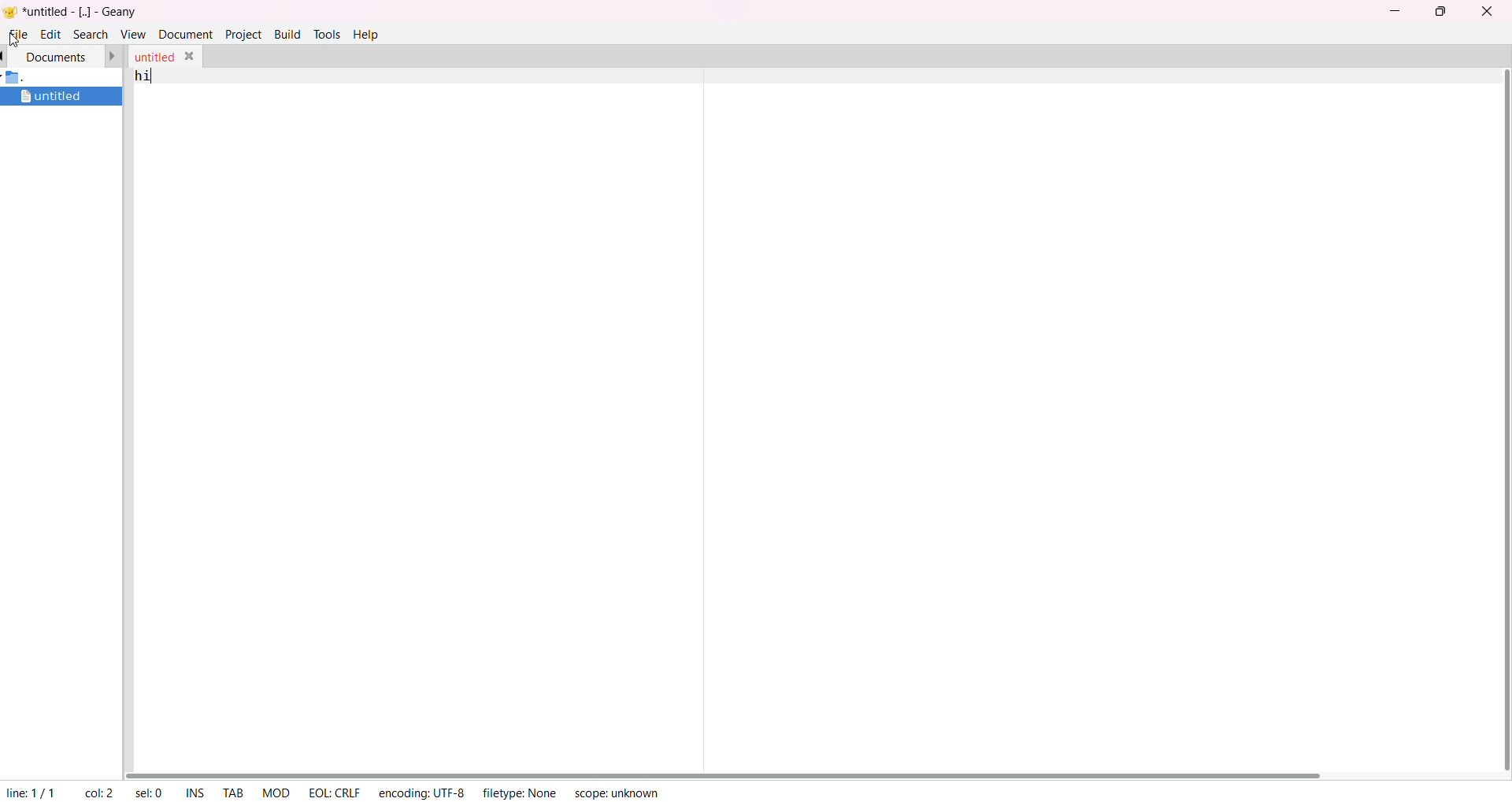  What do you see at coordinates (85, 12) in the screenshot?
I see `*untitled - [..] - Geany` at bounding box center [85, 12].